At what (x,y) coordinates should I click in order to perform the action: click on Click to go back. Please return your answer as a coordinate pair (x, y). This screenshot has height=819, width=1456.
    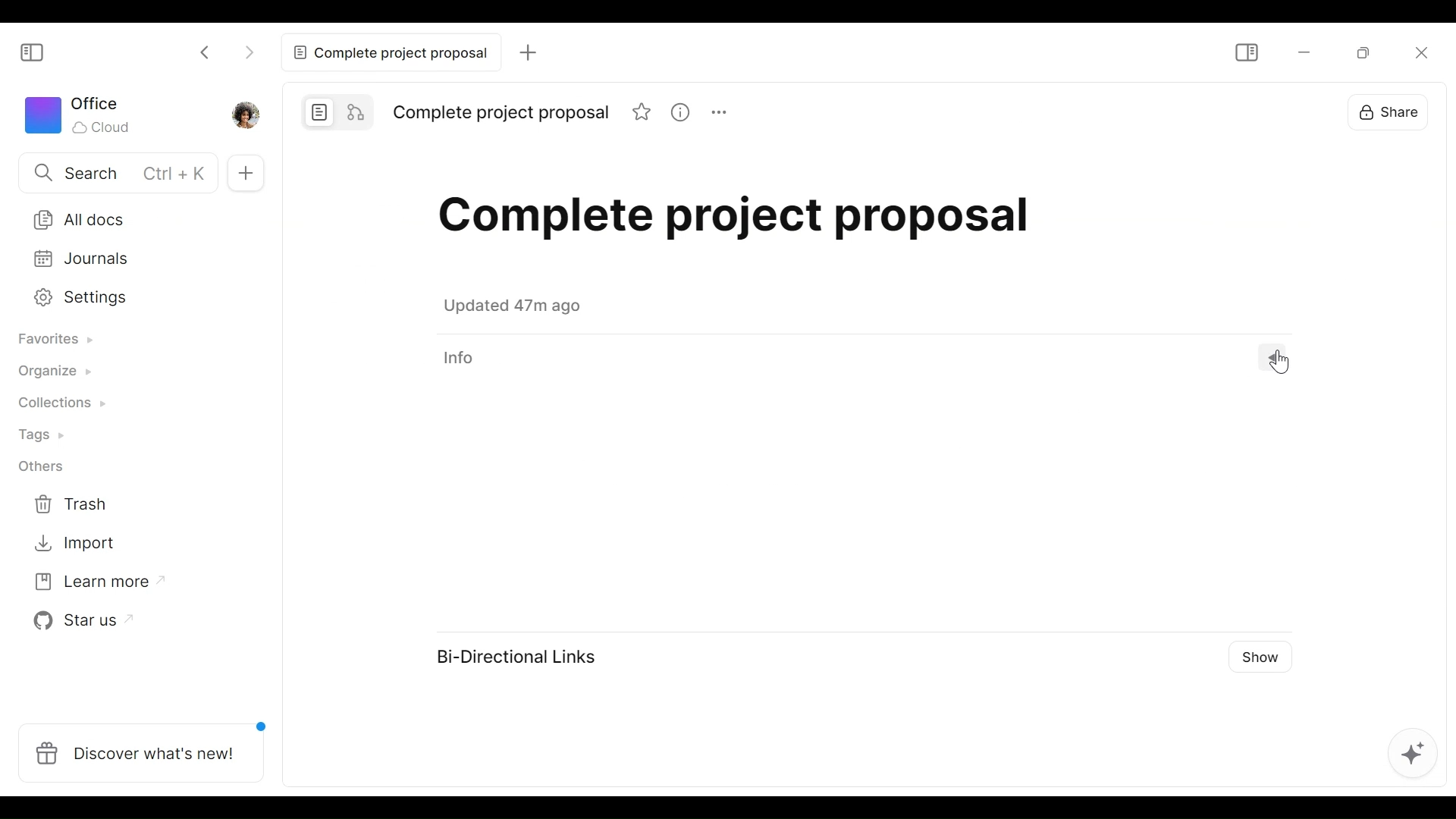
    Looking at the image, I should click on (209, 50).